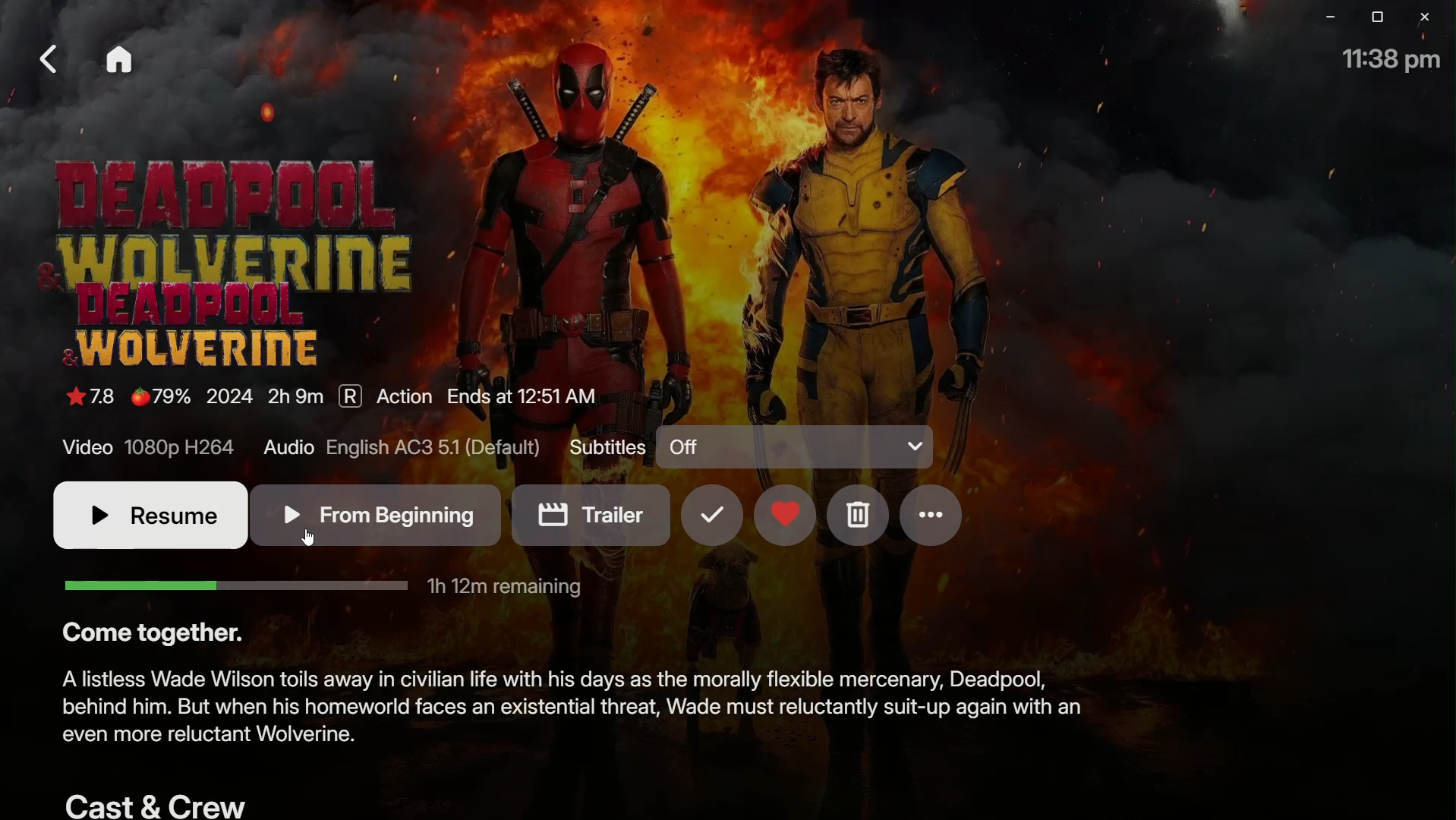 The image size is (1456, 820). What do you see at coordinates (1424, 17) in the screenshot?
I see `Close` at bounding box center [1424, 17].